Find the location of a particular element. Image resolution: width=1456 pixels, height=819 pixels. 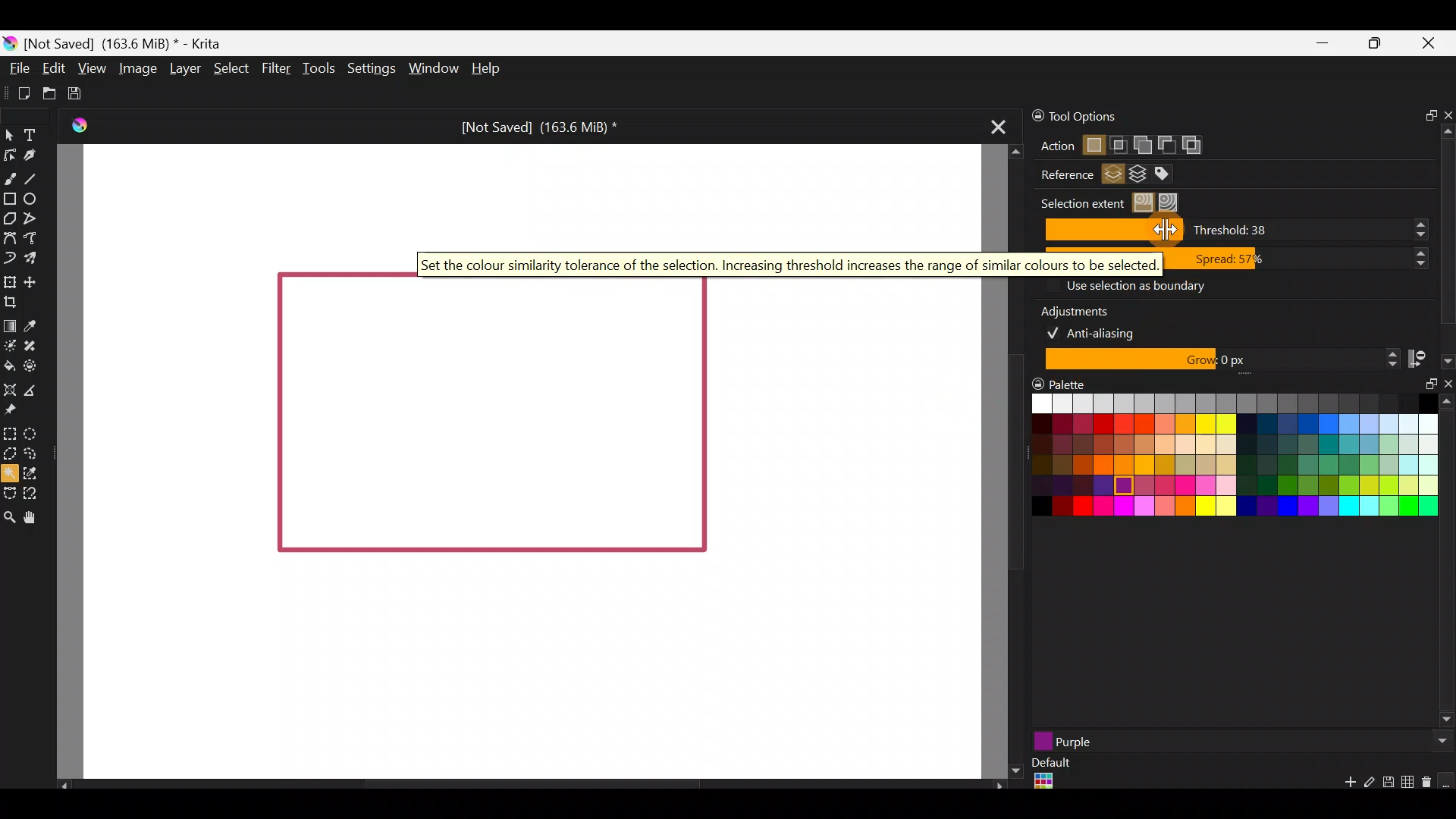

Multibrush tool is located at coordinates (32, 256).